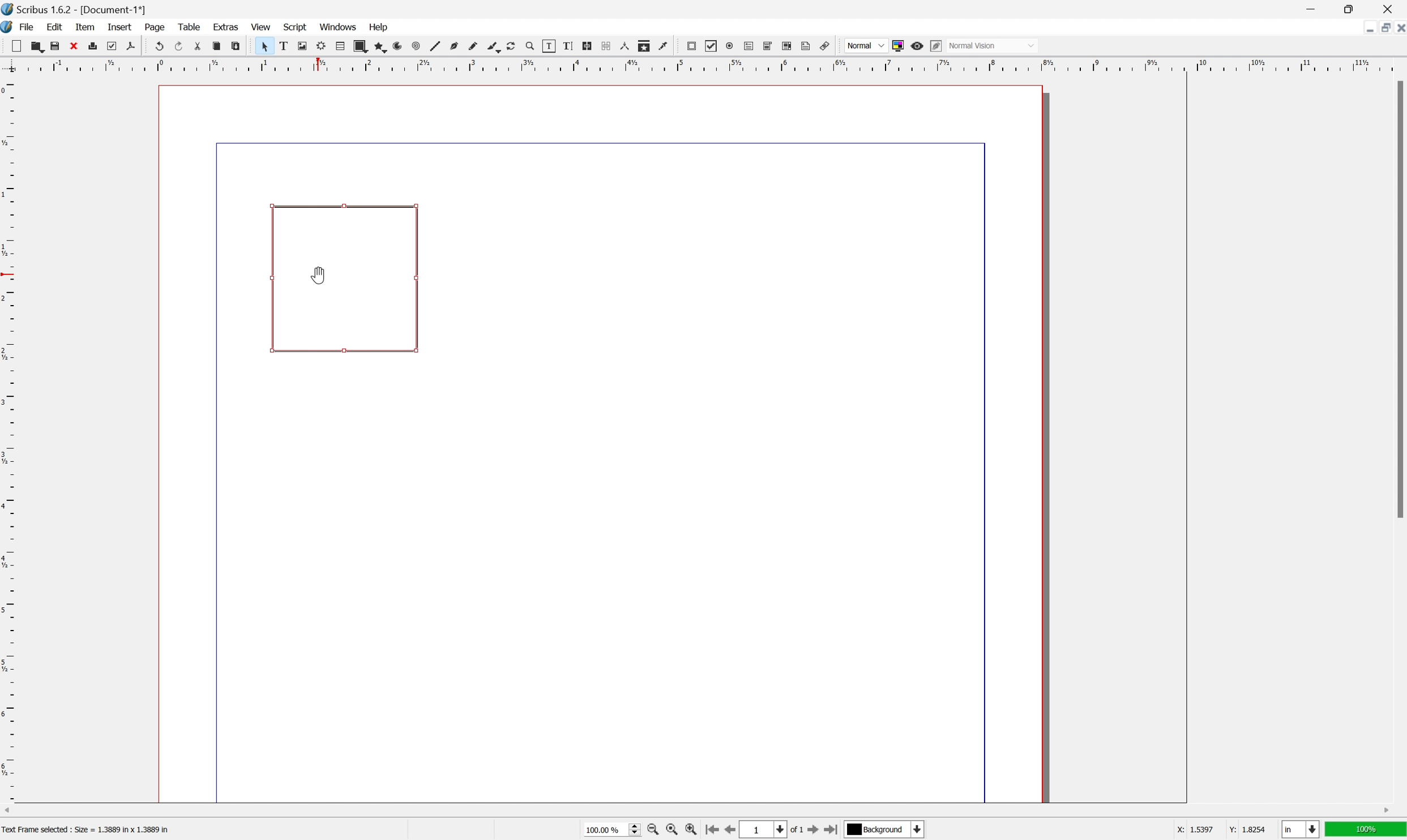 The height and width of the screenshot is (840, 1407). I want to click on bezier curve, so click(455, 46).